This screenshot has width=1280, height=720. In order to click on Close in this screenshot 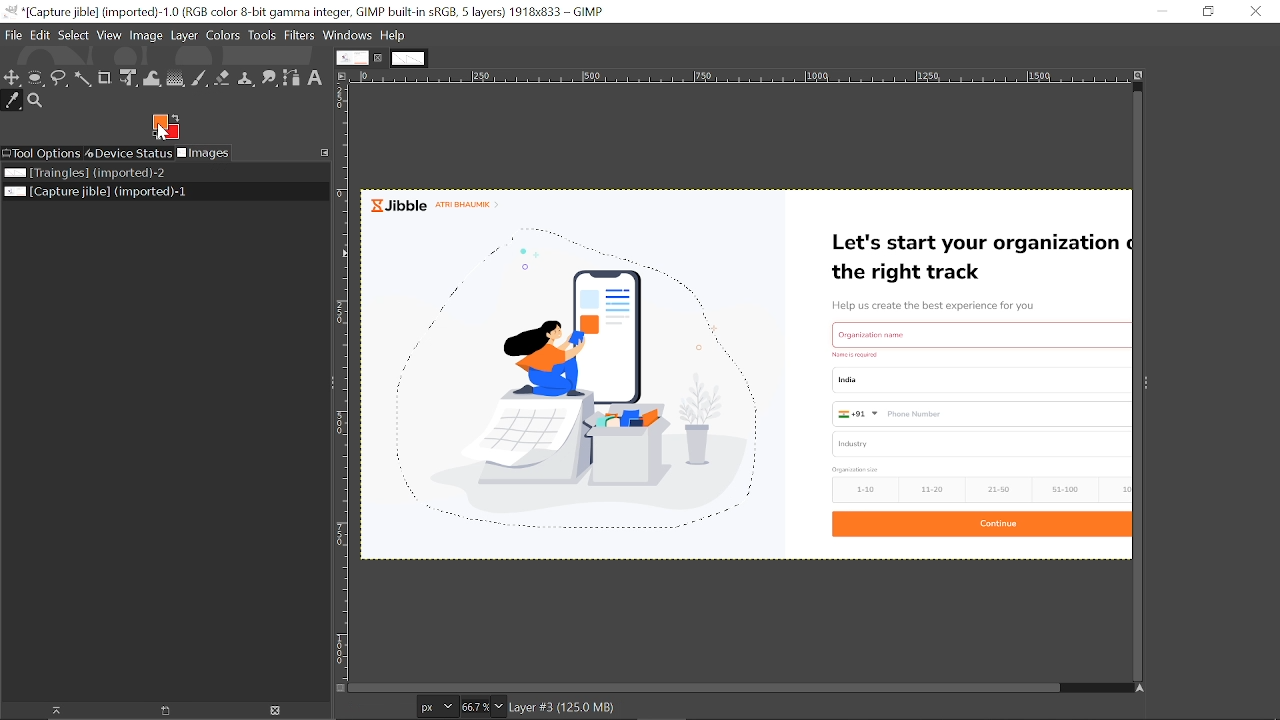, I will do `click(1256, 12)`.